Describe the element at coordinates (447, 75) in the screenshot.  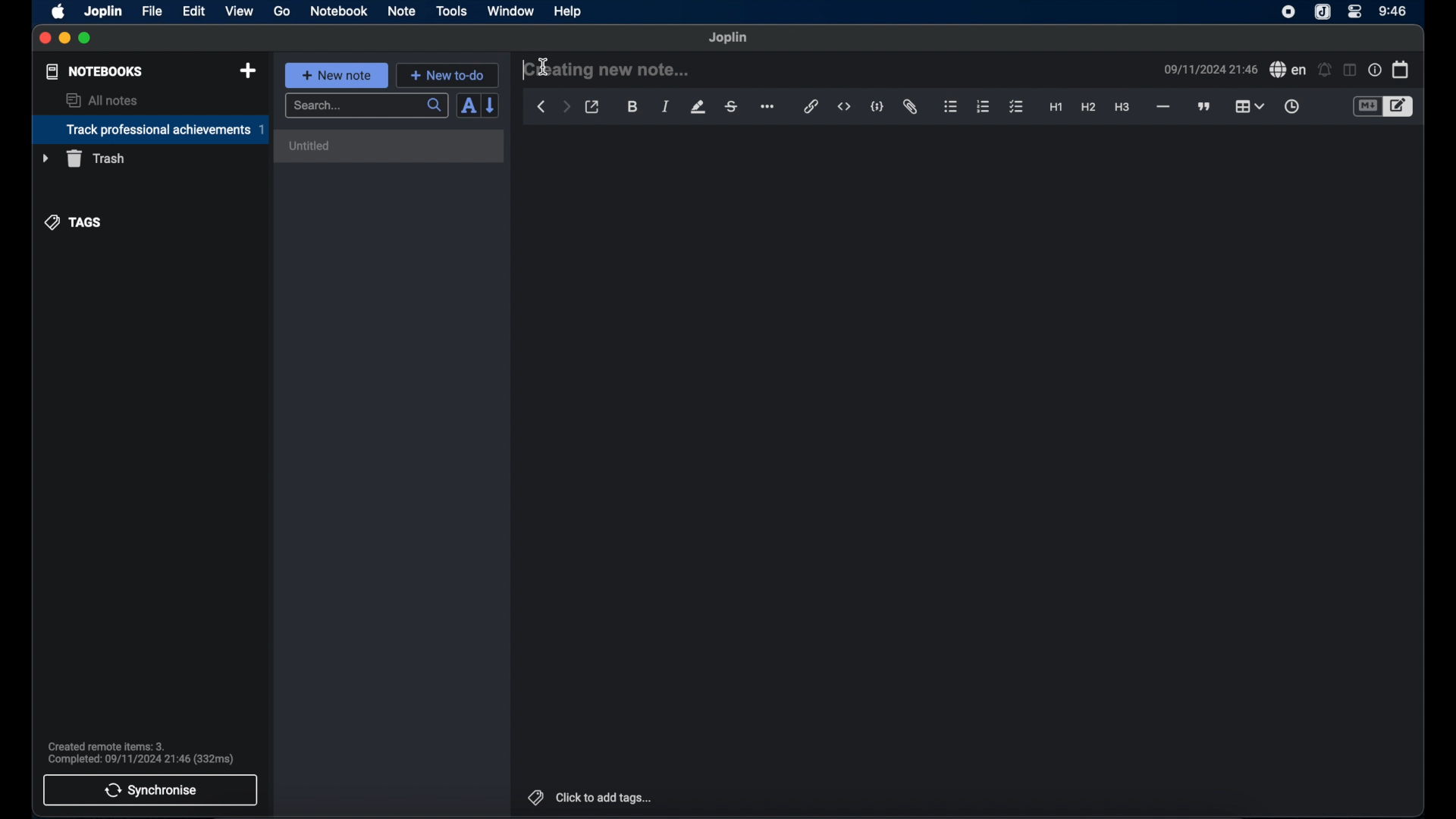
I see `new to-do` at that location.